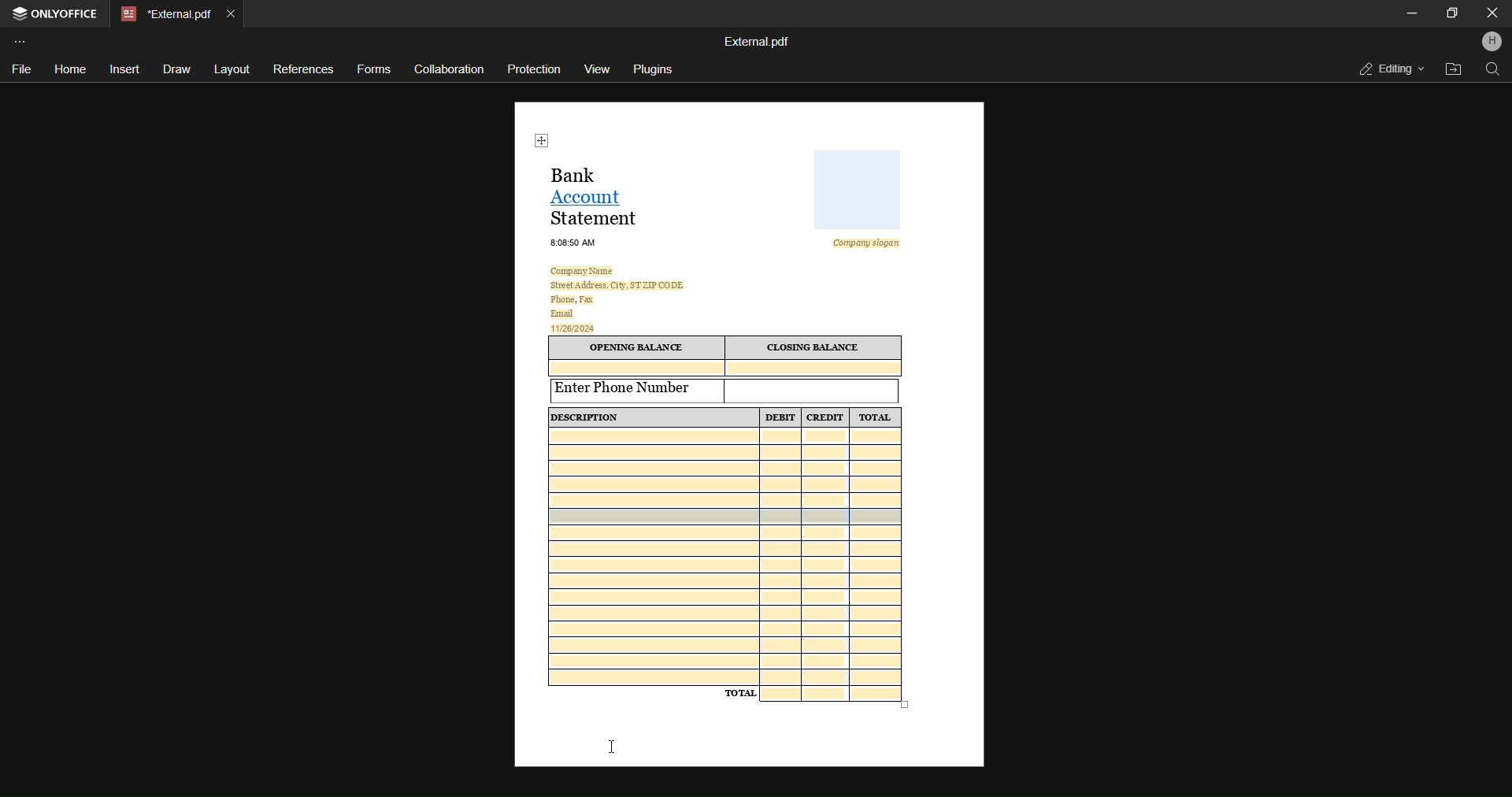 The height and width of the screenshot is (797, 1512). What do you see at coordinates (232, 68) in the screenshot?
I see `layout` at bounding box center [232, 68].